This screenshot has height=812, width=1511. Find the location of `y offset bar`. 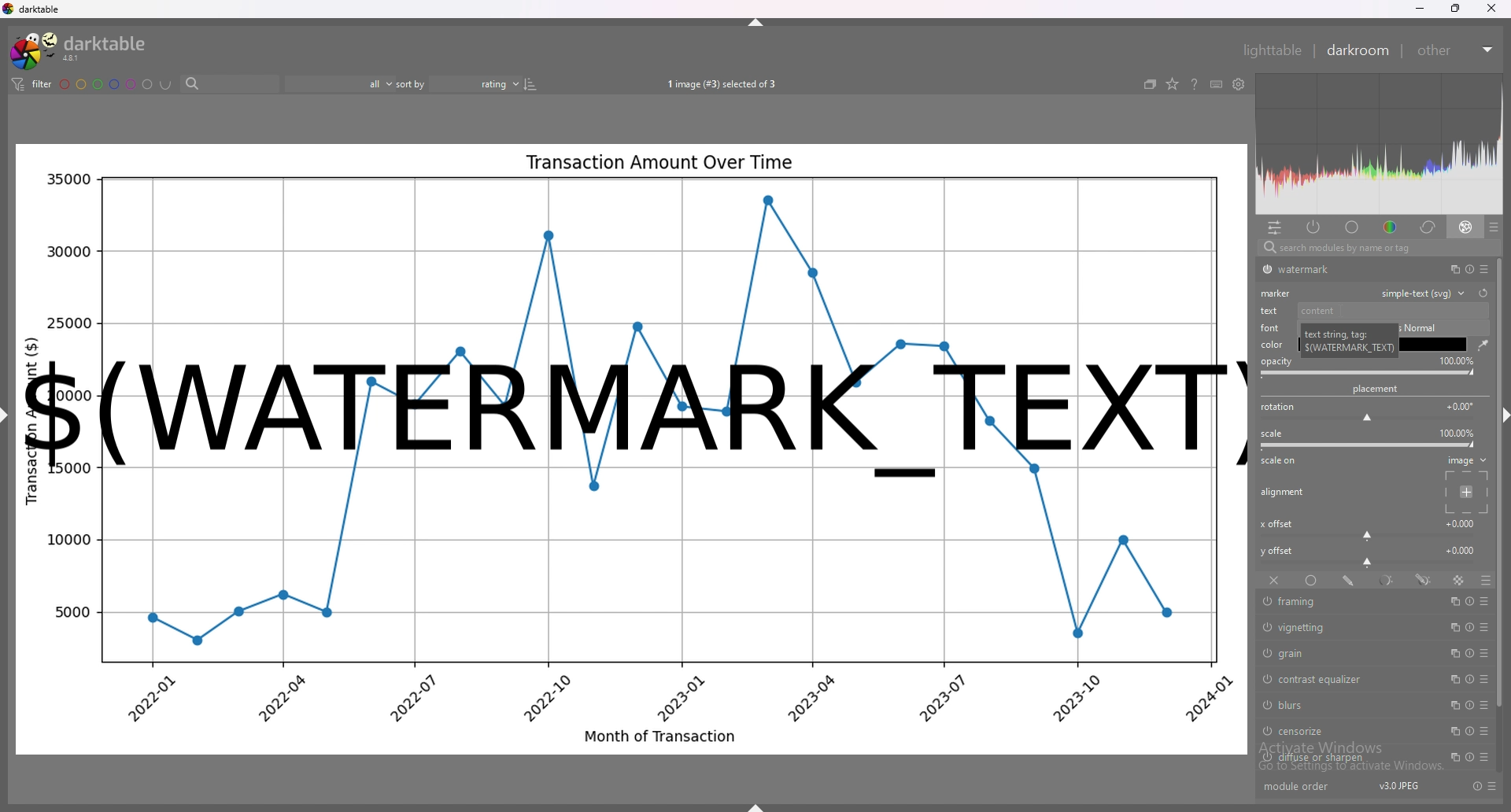

y offset bar is located at coordinates (1369, 563).